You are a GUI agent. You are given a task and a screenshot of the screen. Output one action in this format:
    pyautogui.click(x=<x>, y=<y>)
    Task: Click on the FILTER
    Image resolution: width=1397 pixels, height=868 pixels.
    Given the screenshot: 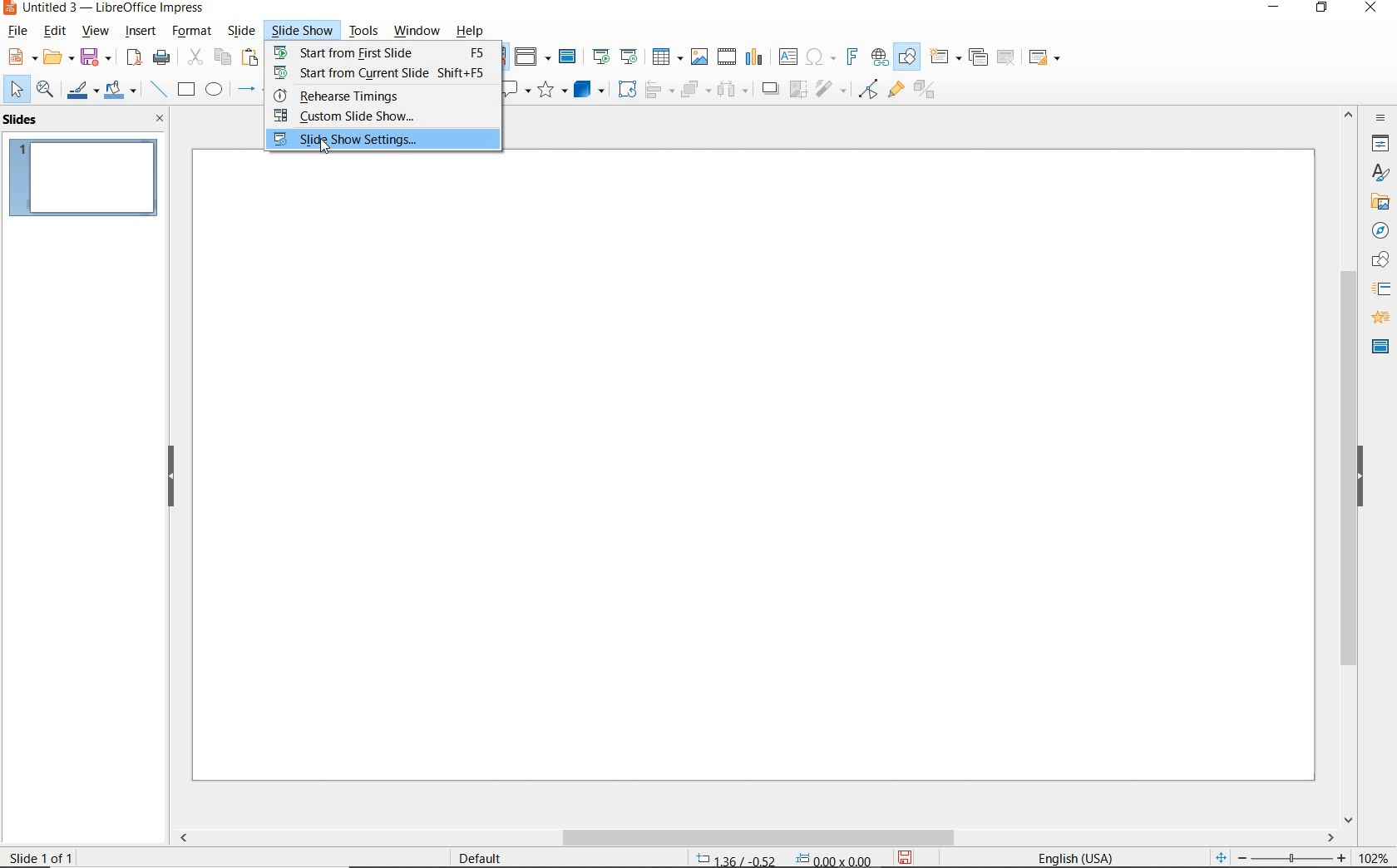 What is the action you would take?
    pyautogui.click(x=831, y=89)
    